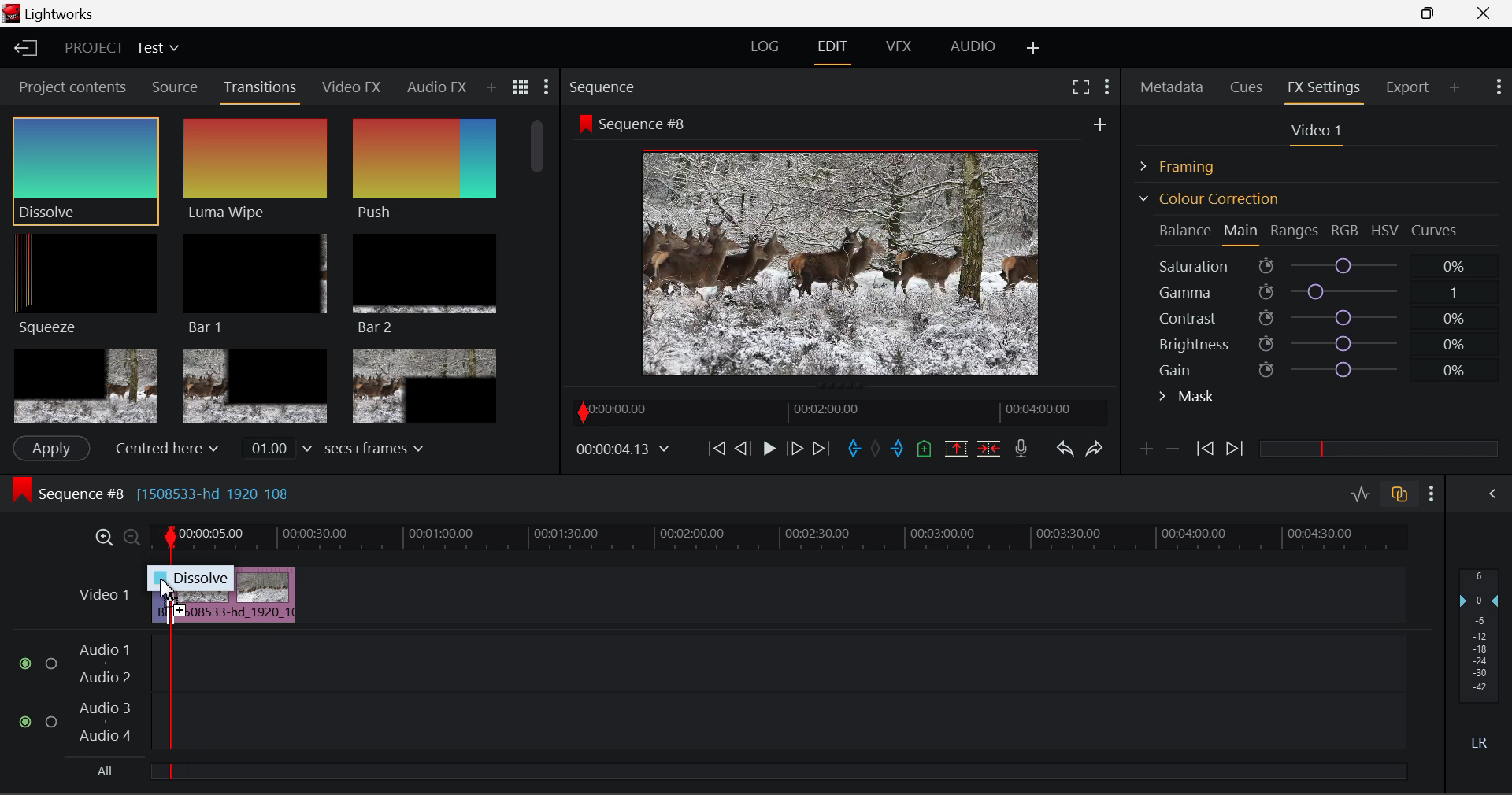 This screenshot has height=795, width=1512. What do you see at coordinates (777, 771) in the screenshot?
I see `slider` at bounding box center [777, 771].